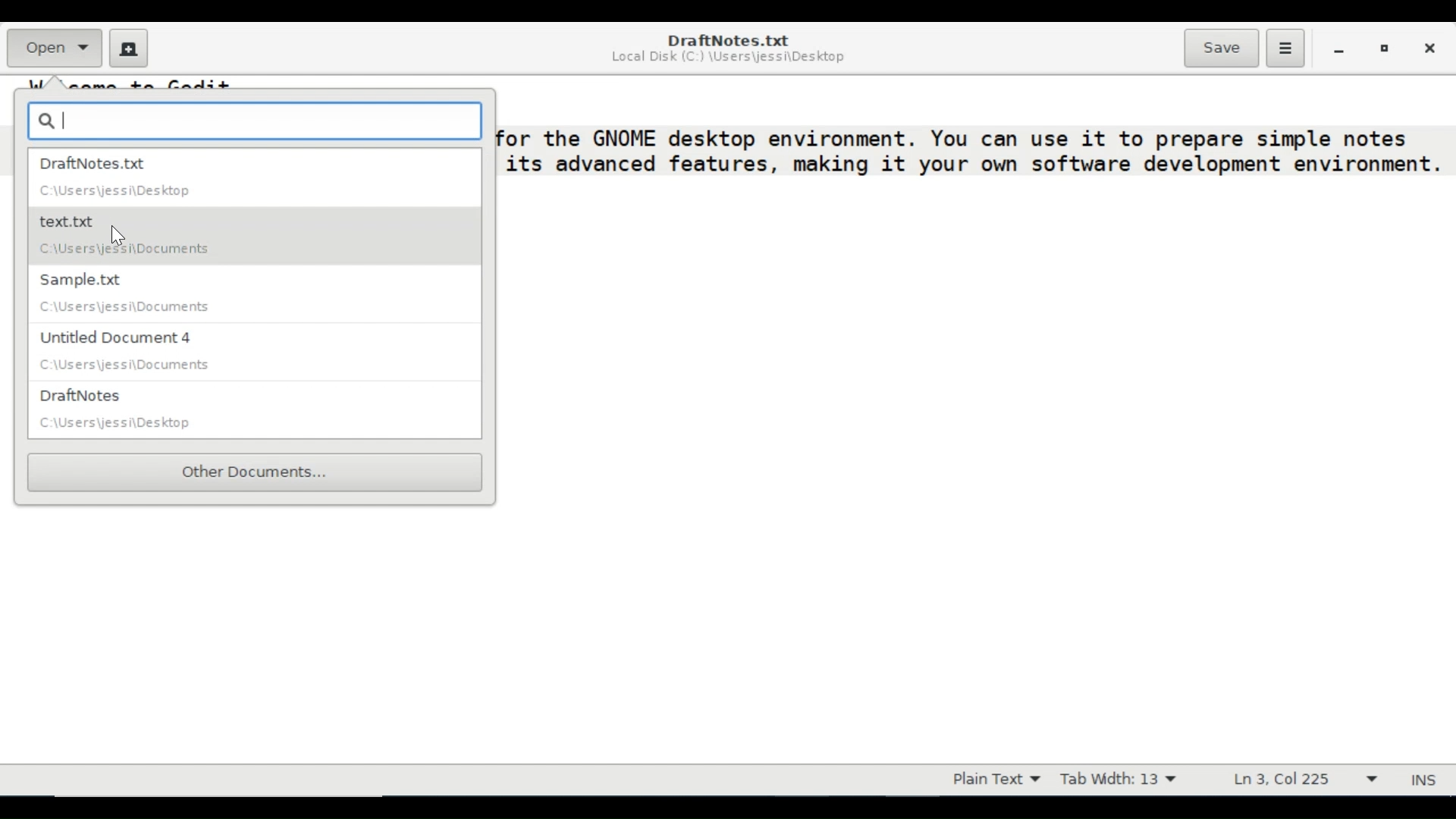 This screenshot has height=819, width=1456. Describe the element at coordinates (1285, 49) in the screenshot. I see `Application menu` at that location.